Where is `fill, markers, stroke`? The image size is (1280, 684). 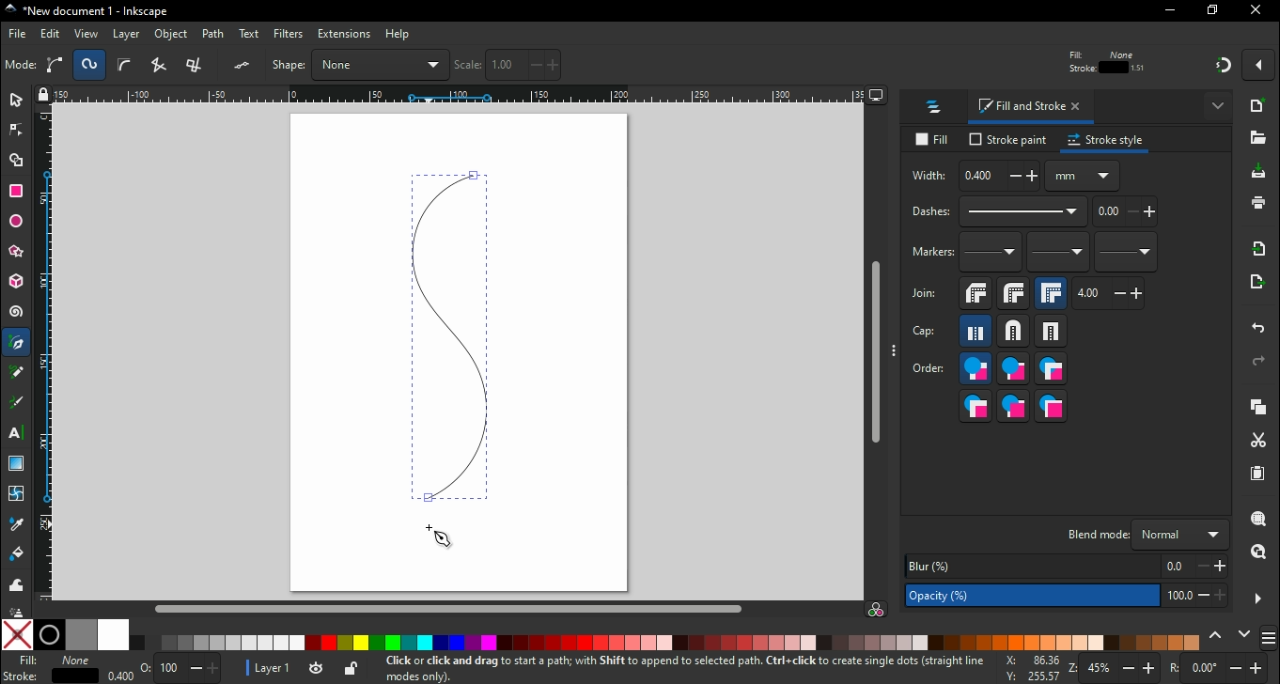
fill, markers, stroke is located at coordinates (1051, 371).